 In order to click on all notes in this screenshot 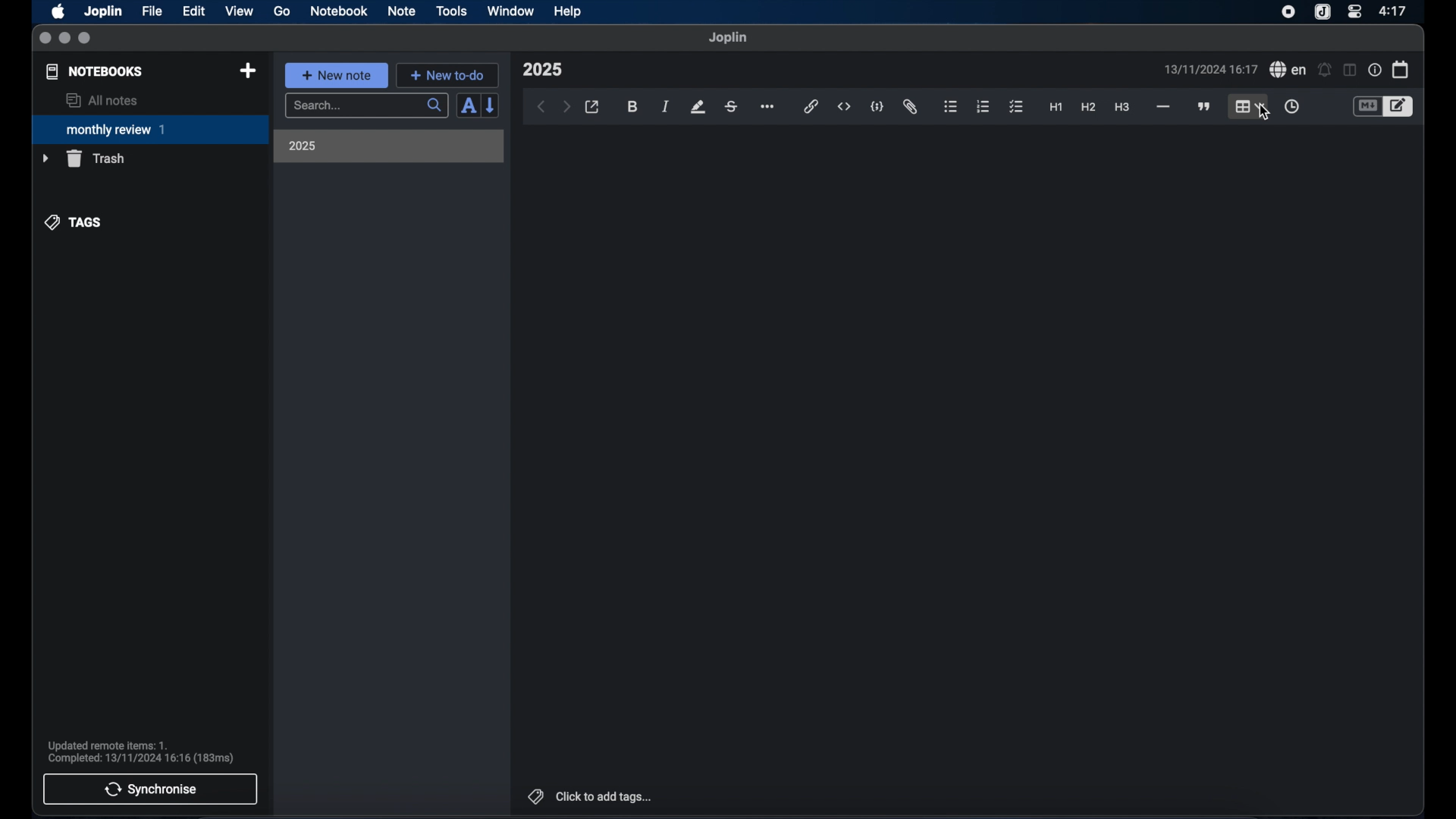, I will do `click(102, 100)`.